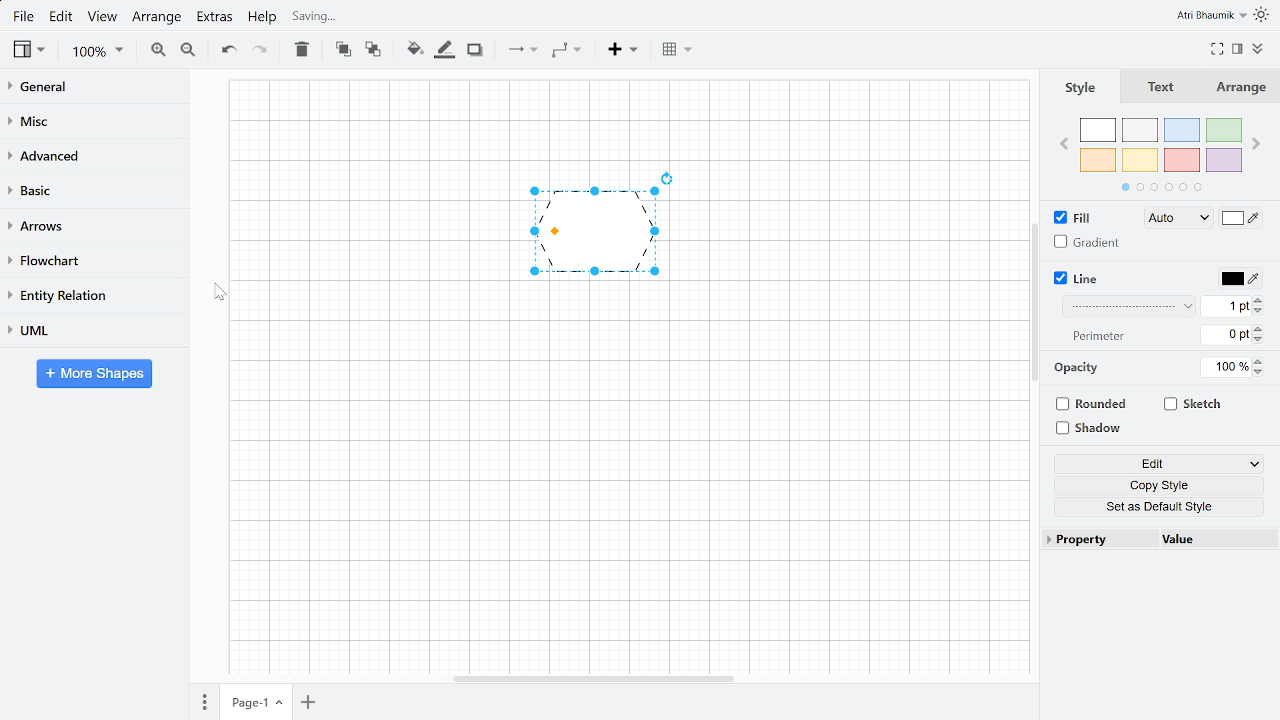 This screenshot has height=720, width=1280. Describe the element at coordinates (266, 17) in the screenshot. I see `Help` at that location.